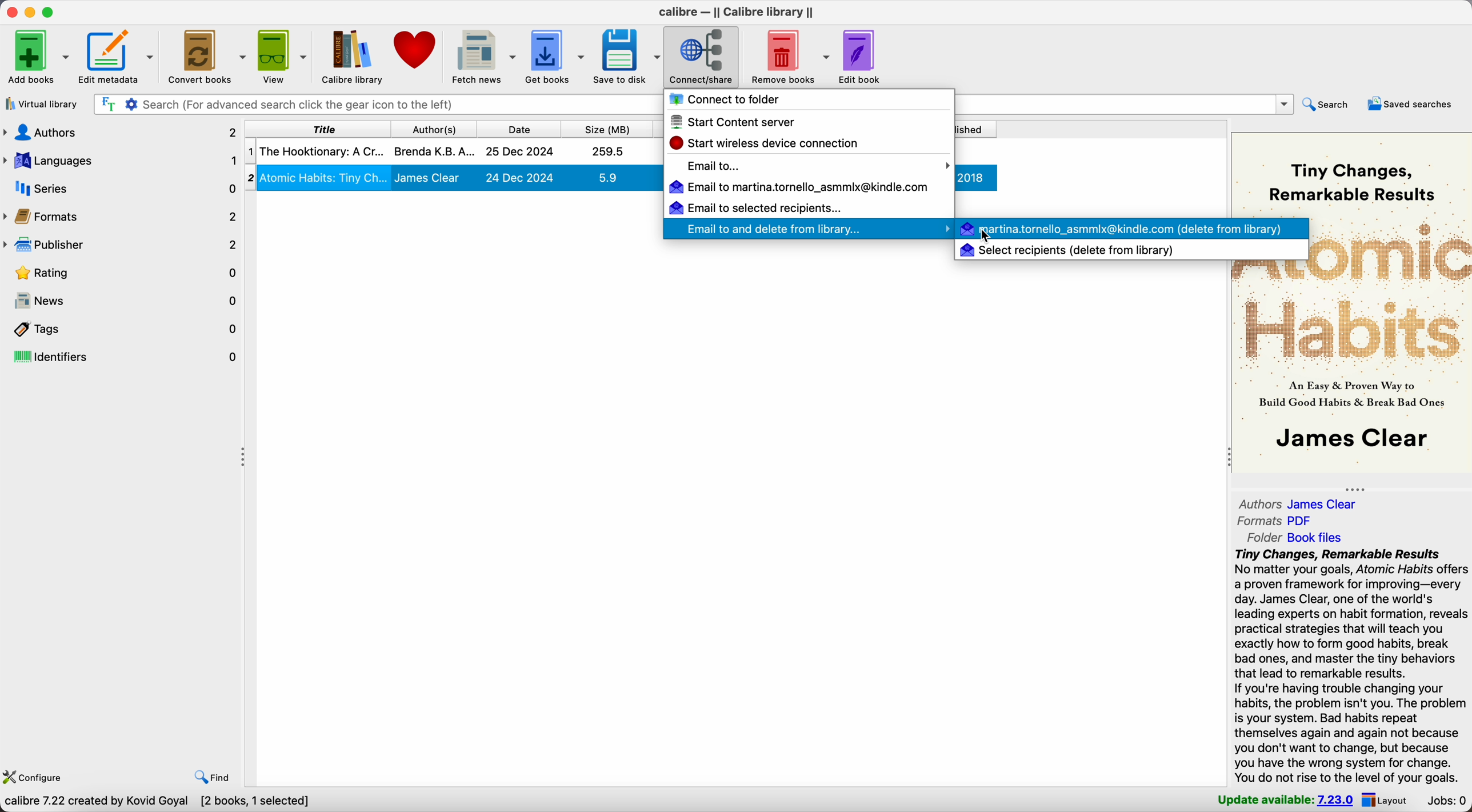 This screenshot has width=1472, height=812. Describe the element at coordinates (208, 57) in the screenshot. I see `convert books` at that location.